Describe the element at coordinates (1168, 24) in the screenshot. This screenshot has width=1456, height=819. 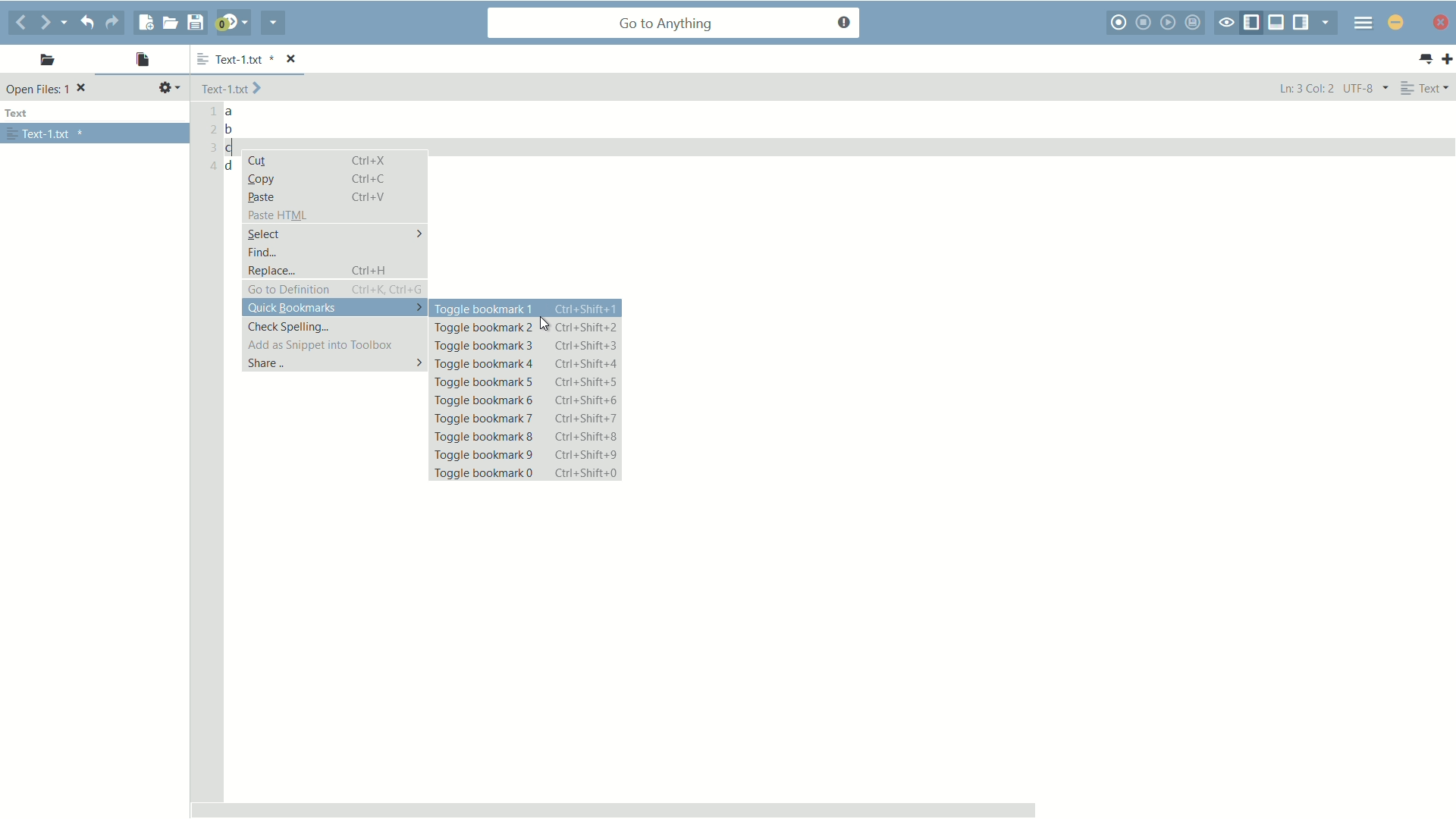
I see `start last macro` at that location.